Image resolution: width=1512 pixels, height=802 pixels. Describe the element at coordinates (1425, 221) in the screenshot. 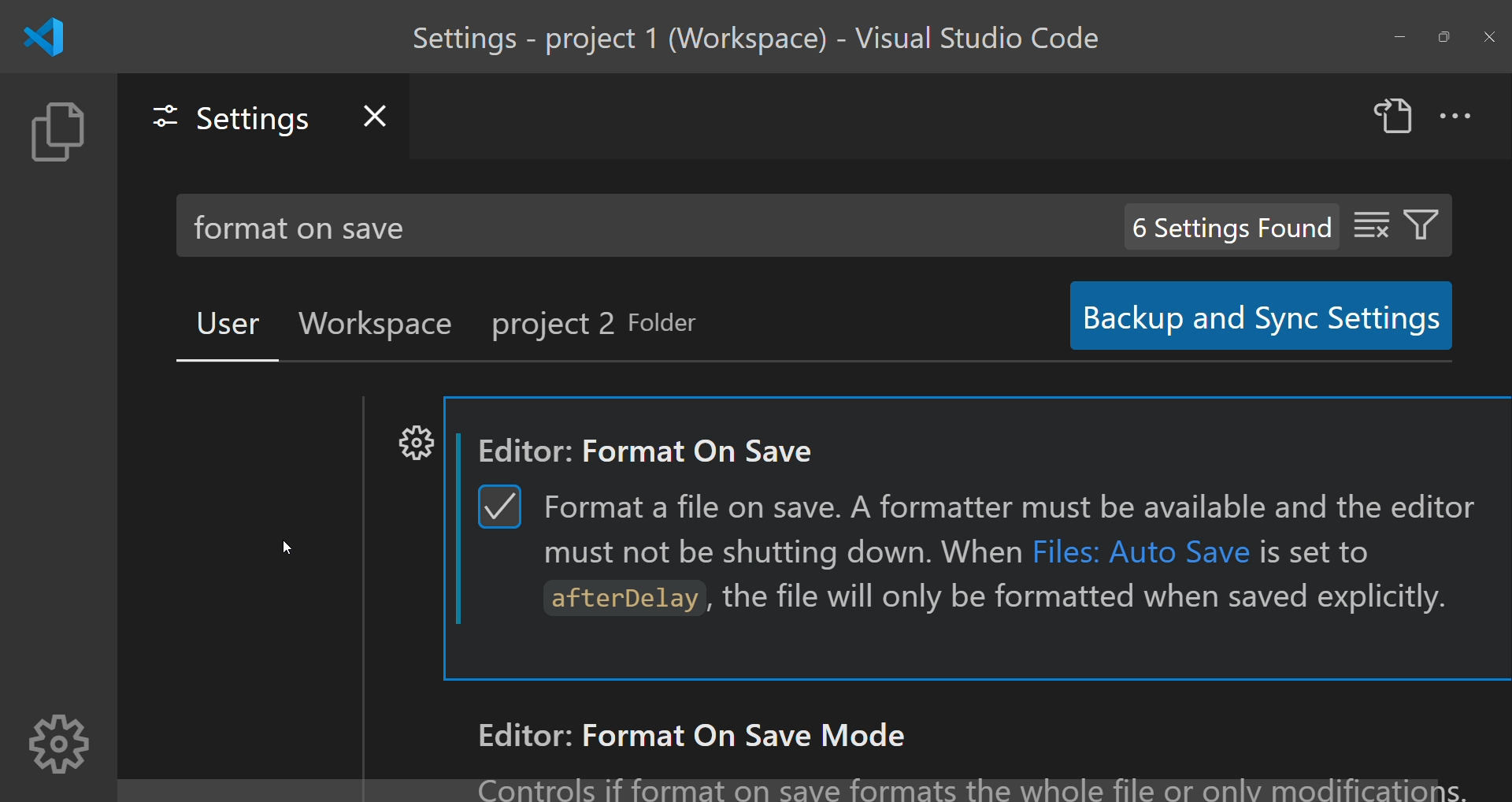

I see `filter` at that location.